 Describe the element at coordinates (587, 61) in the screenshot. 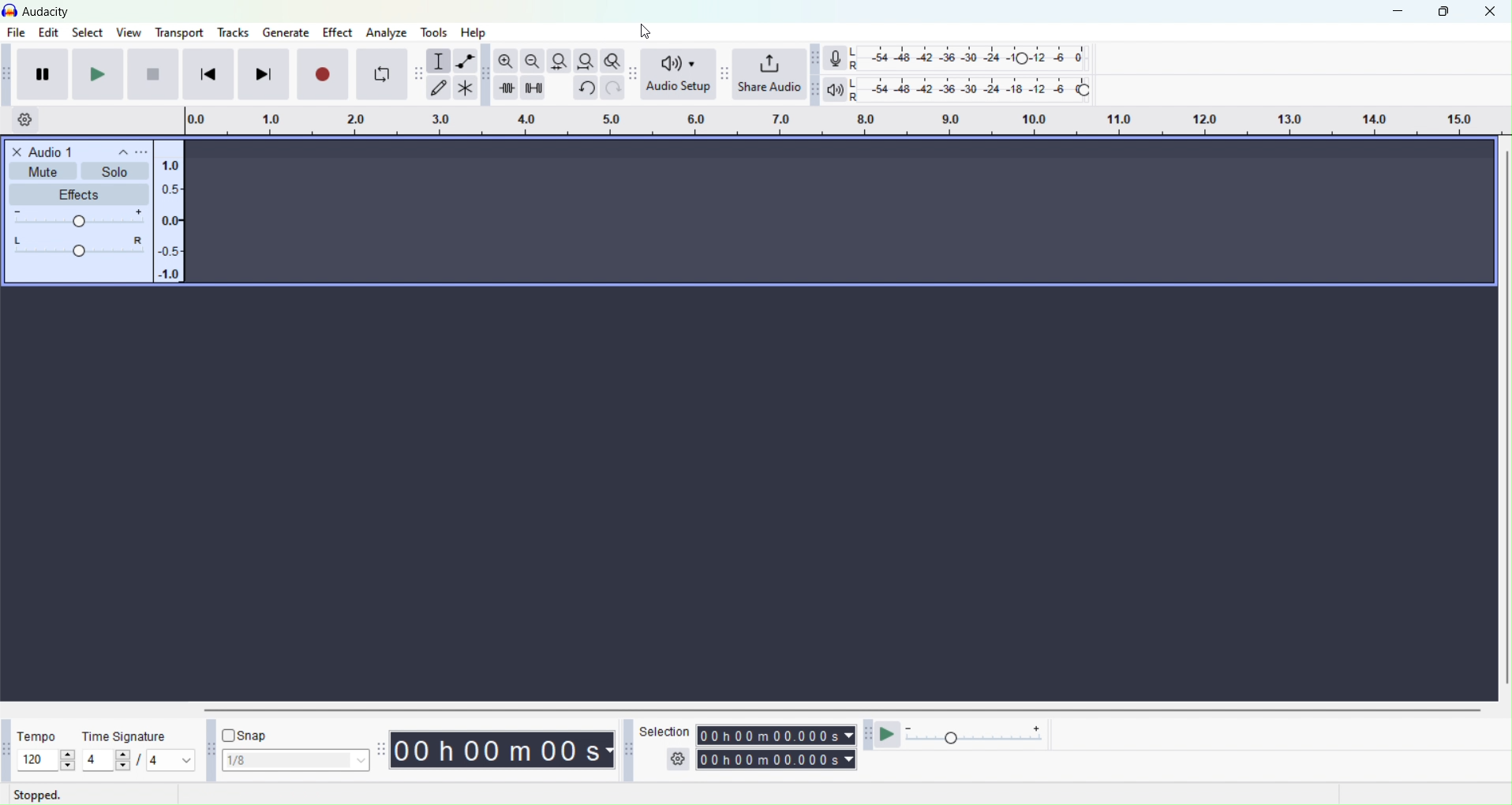

I see `Fit project to width` at that location.